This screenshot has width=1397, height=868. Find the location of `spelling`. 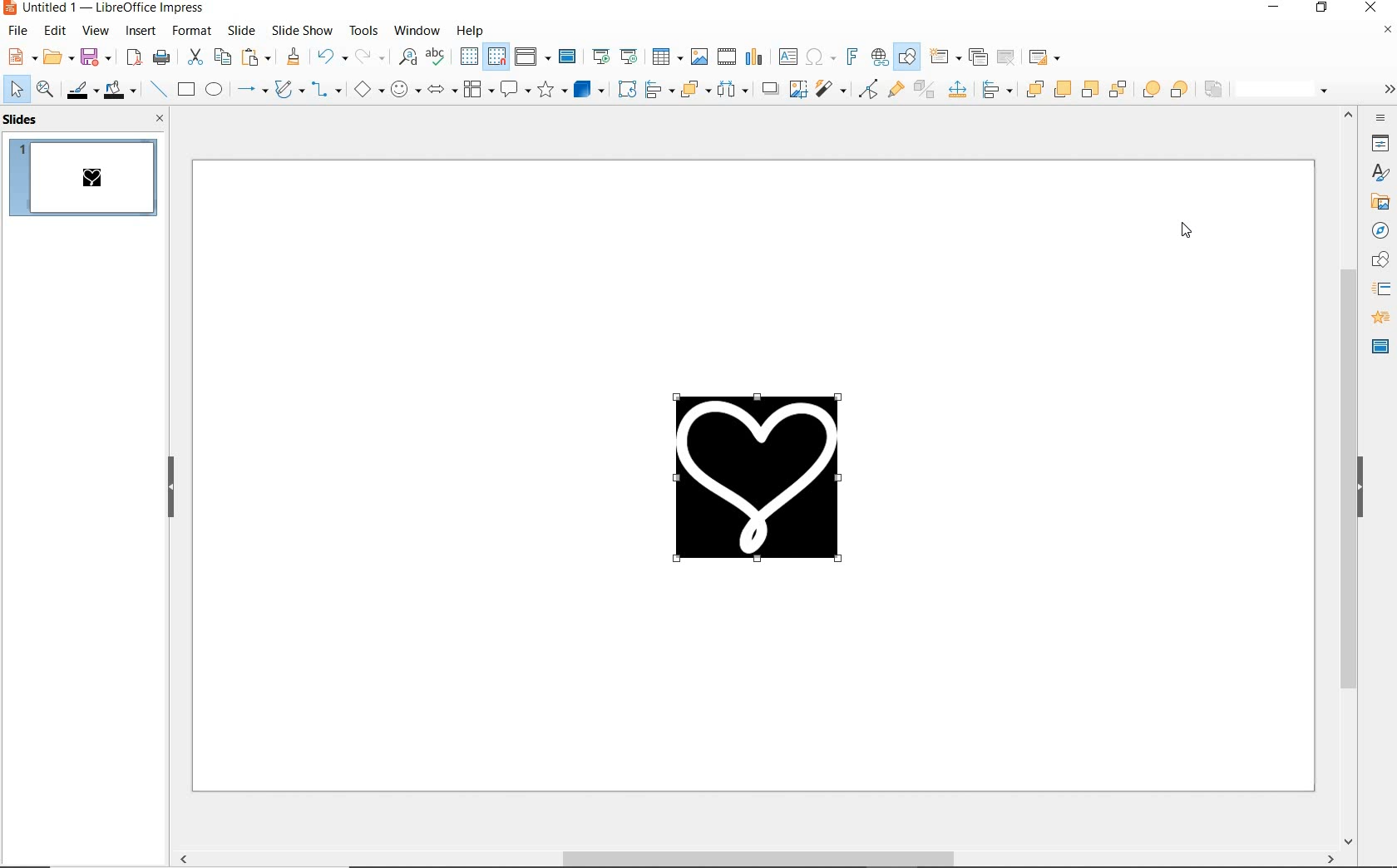

spelling is located at coordinates (437, 57).